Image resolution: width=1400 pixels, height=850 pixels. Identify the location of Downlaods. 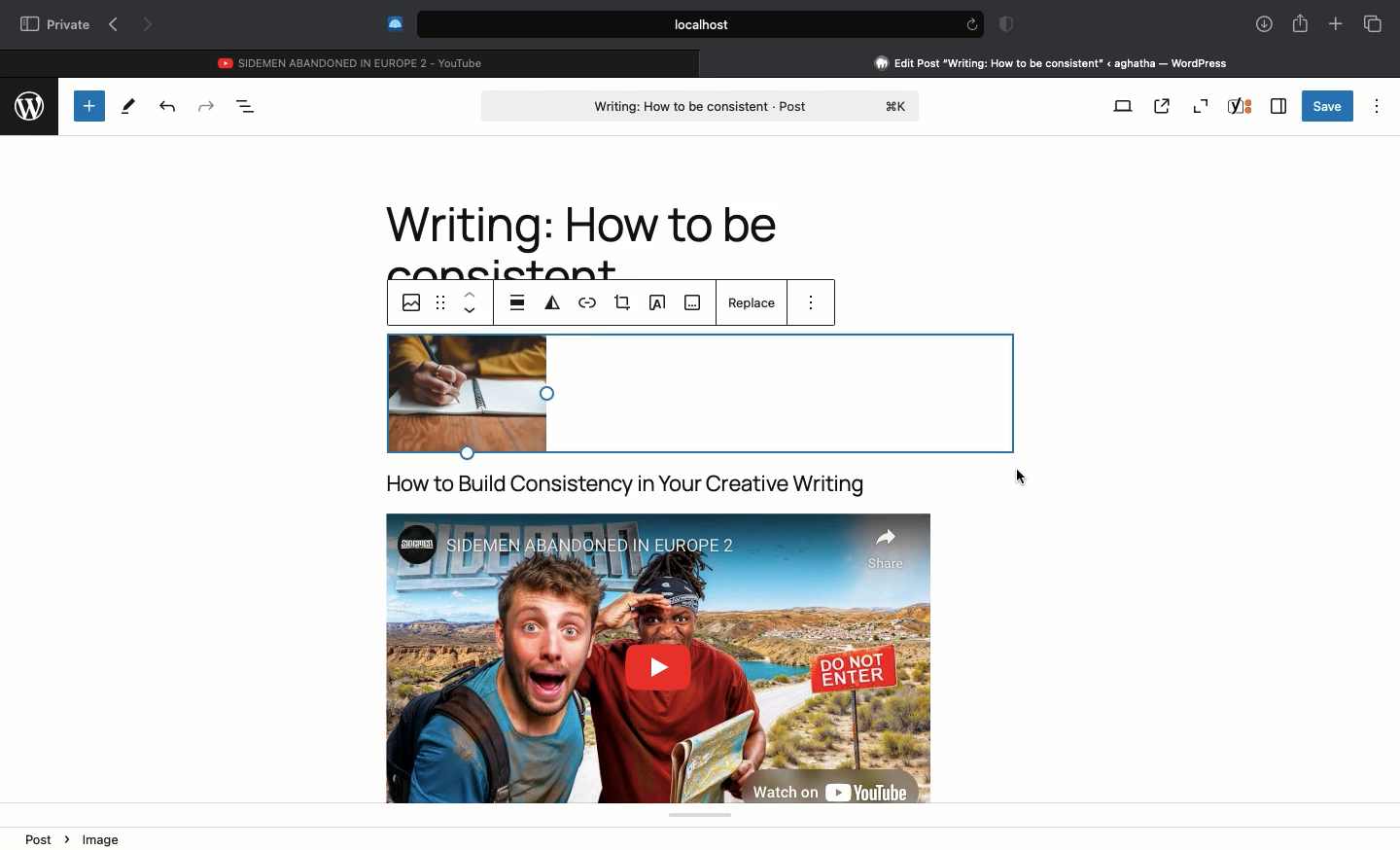
(1261, 25).